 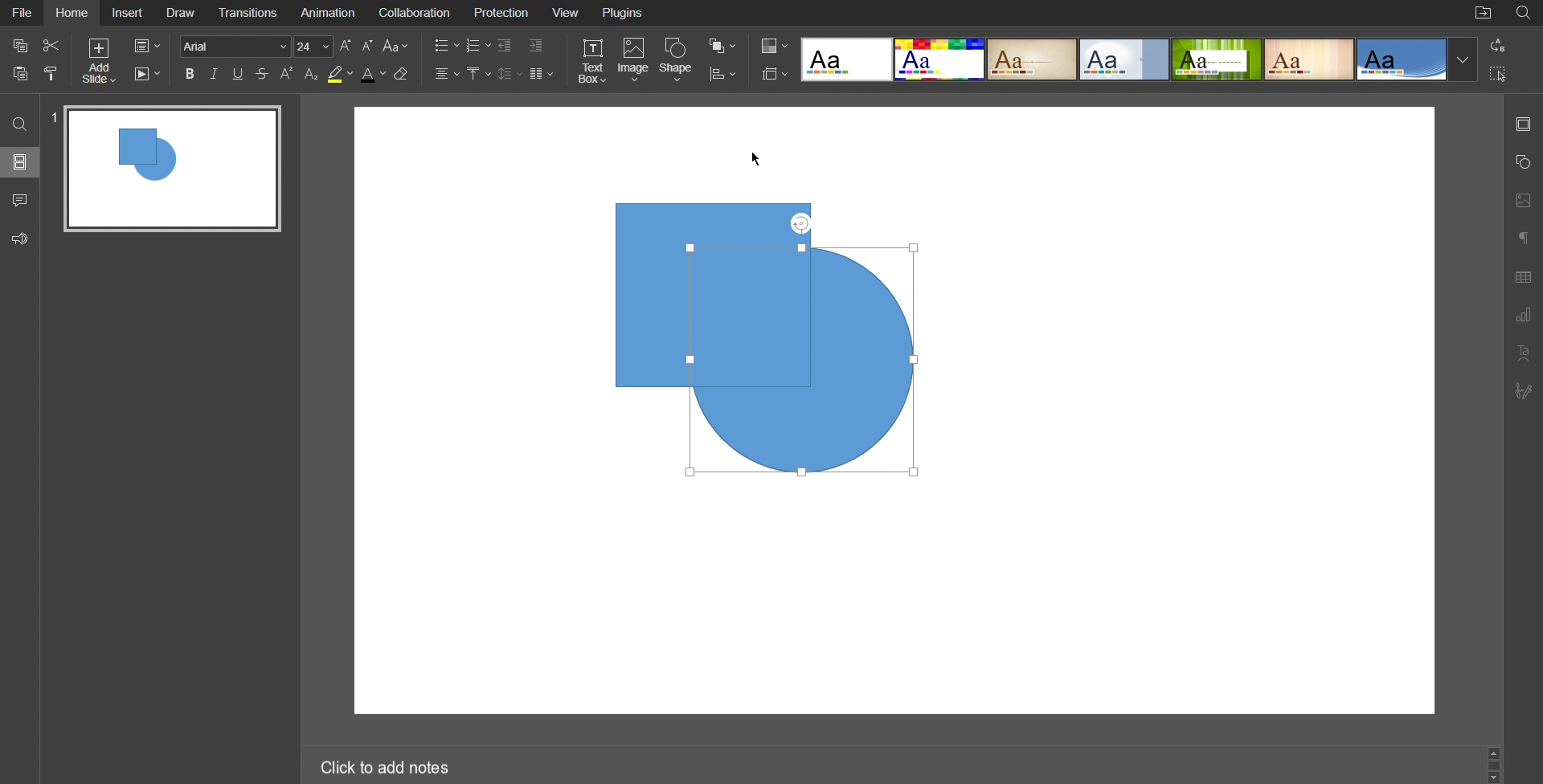 What do you see at coordinates (1495, 766) in the screenshot?
I see `Scroll Bar` at bounding box center [1495, 766].